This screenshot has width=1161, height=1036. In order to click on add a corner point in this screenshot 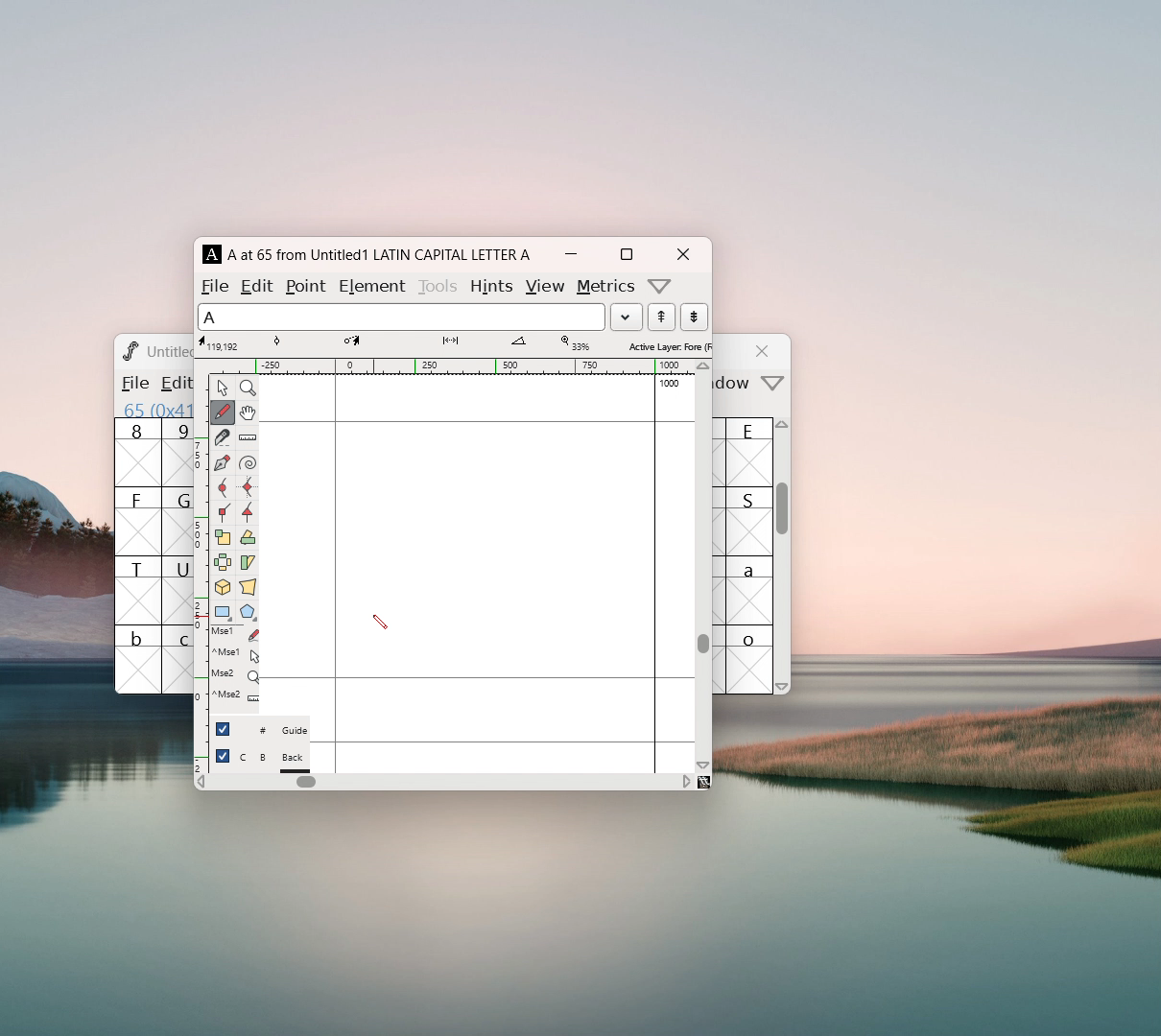, I will do `click(222, 511)`.